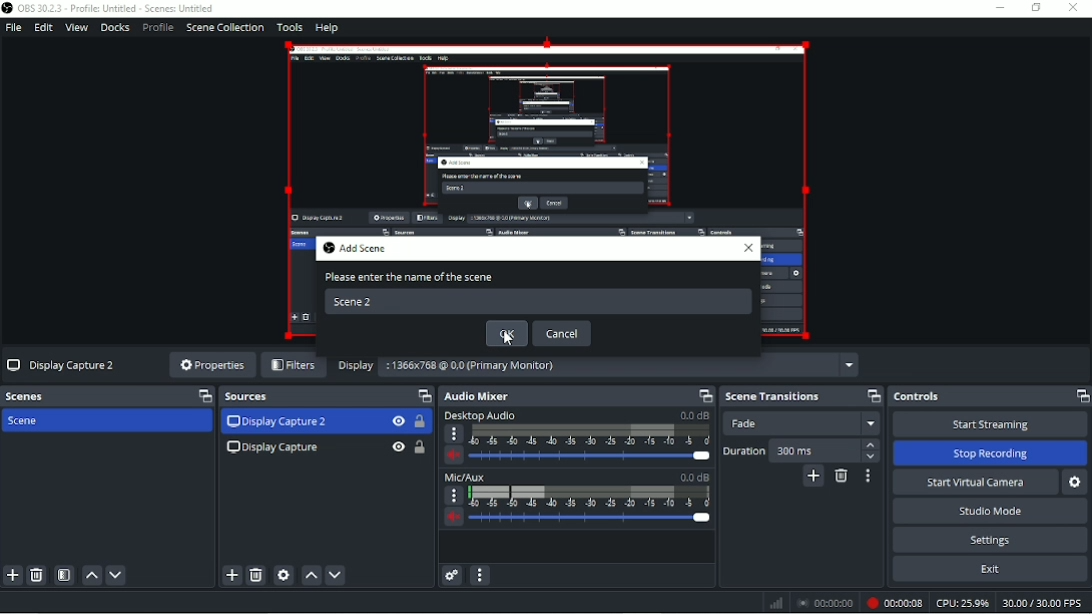 Image resolution: width=1092 pixels, height=614 pixels. I want to click on Scene collection, so click(223, 28).